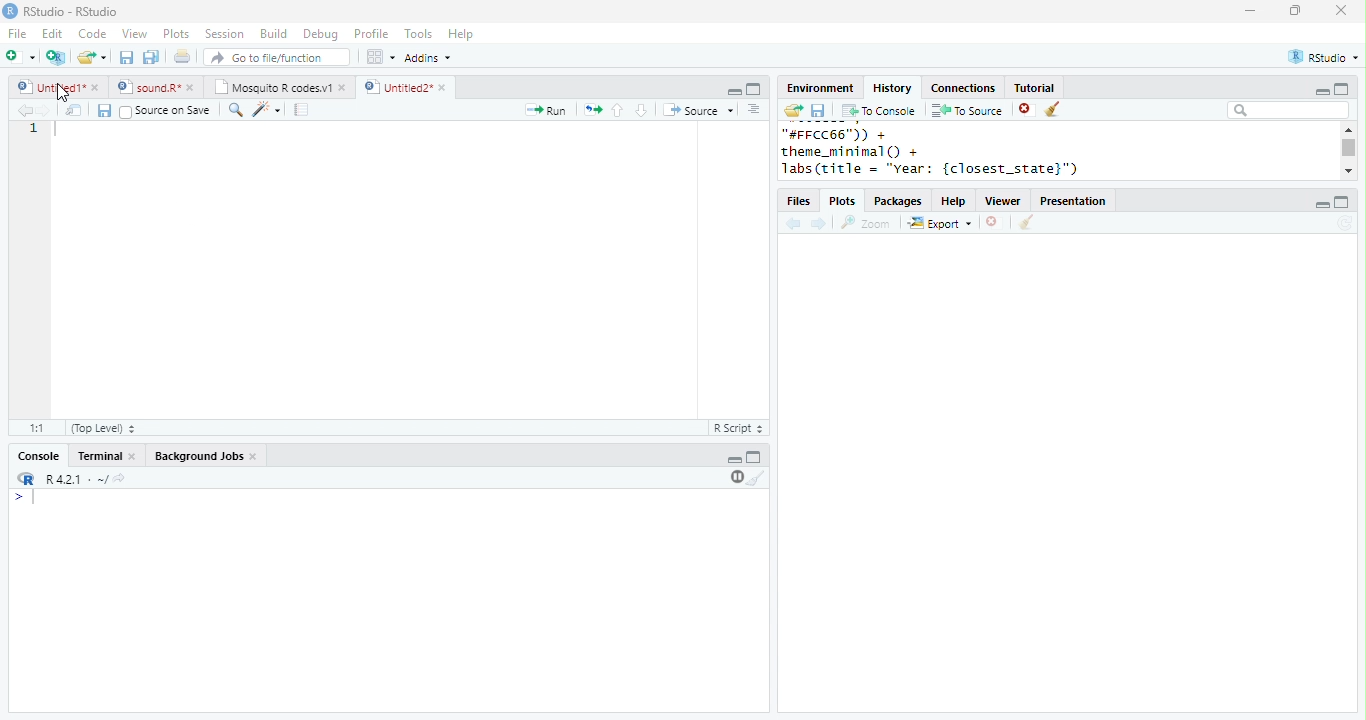 The height and width of the screenshot is (720, 1366). Describe the element at coordinates (26, 497) in the screenshot. I see `start typing` at that location.